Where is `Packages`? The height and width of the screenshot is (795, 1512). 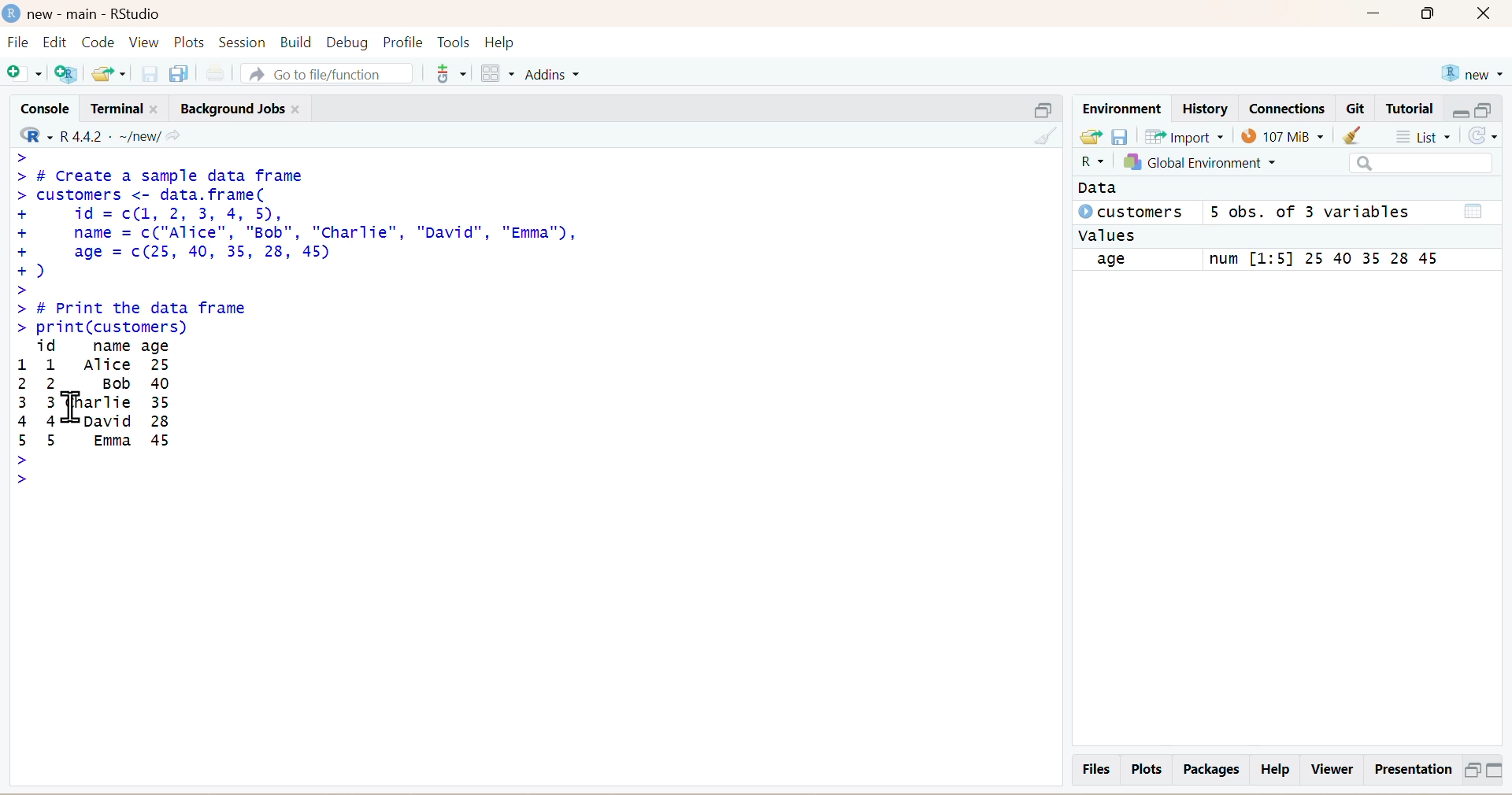 Packages is located at coordinates (1209, 769).